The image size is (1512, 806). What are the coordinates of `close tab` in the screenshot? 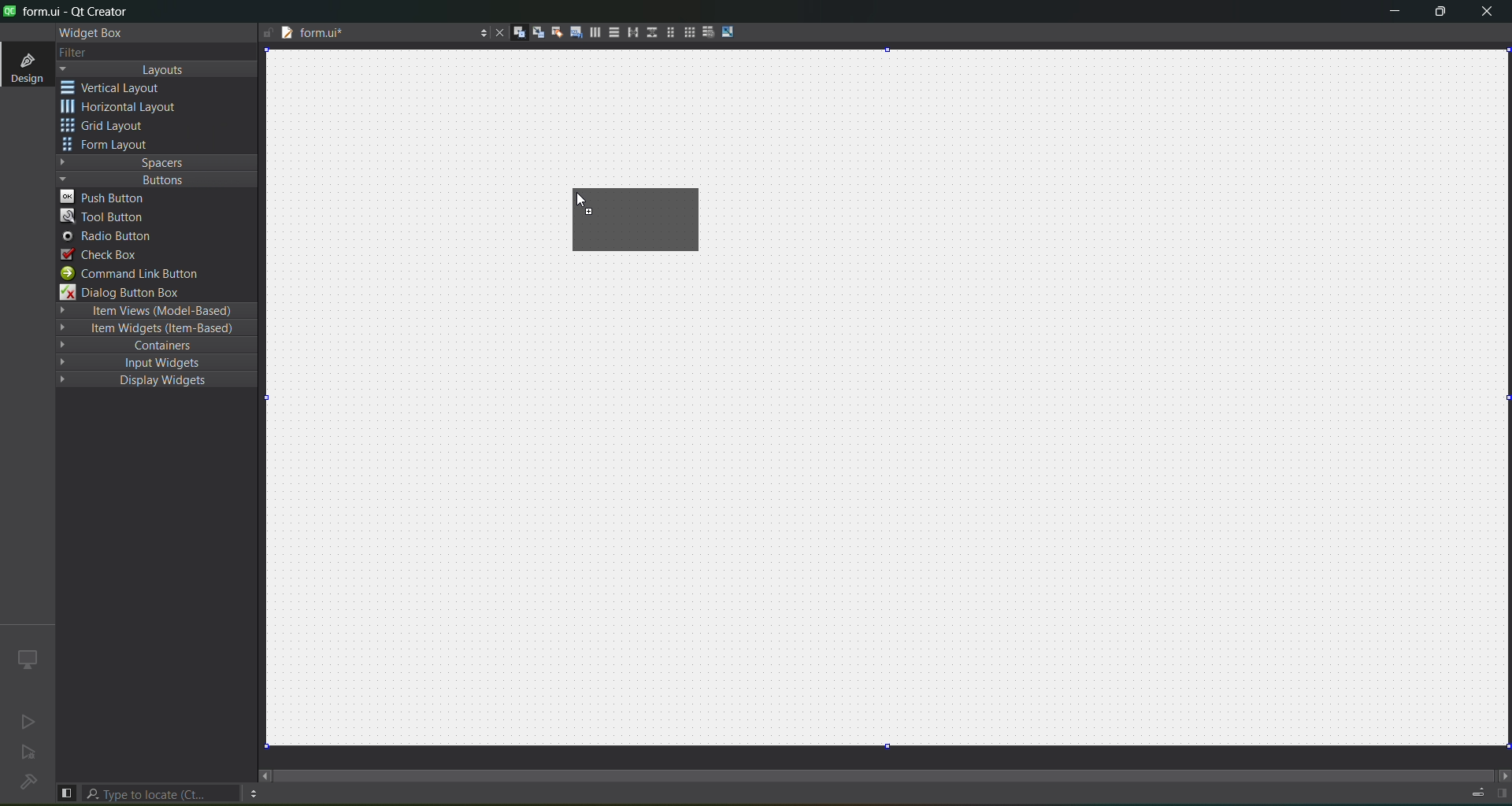 It's located at (495, 32).